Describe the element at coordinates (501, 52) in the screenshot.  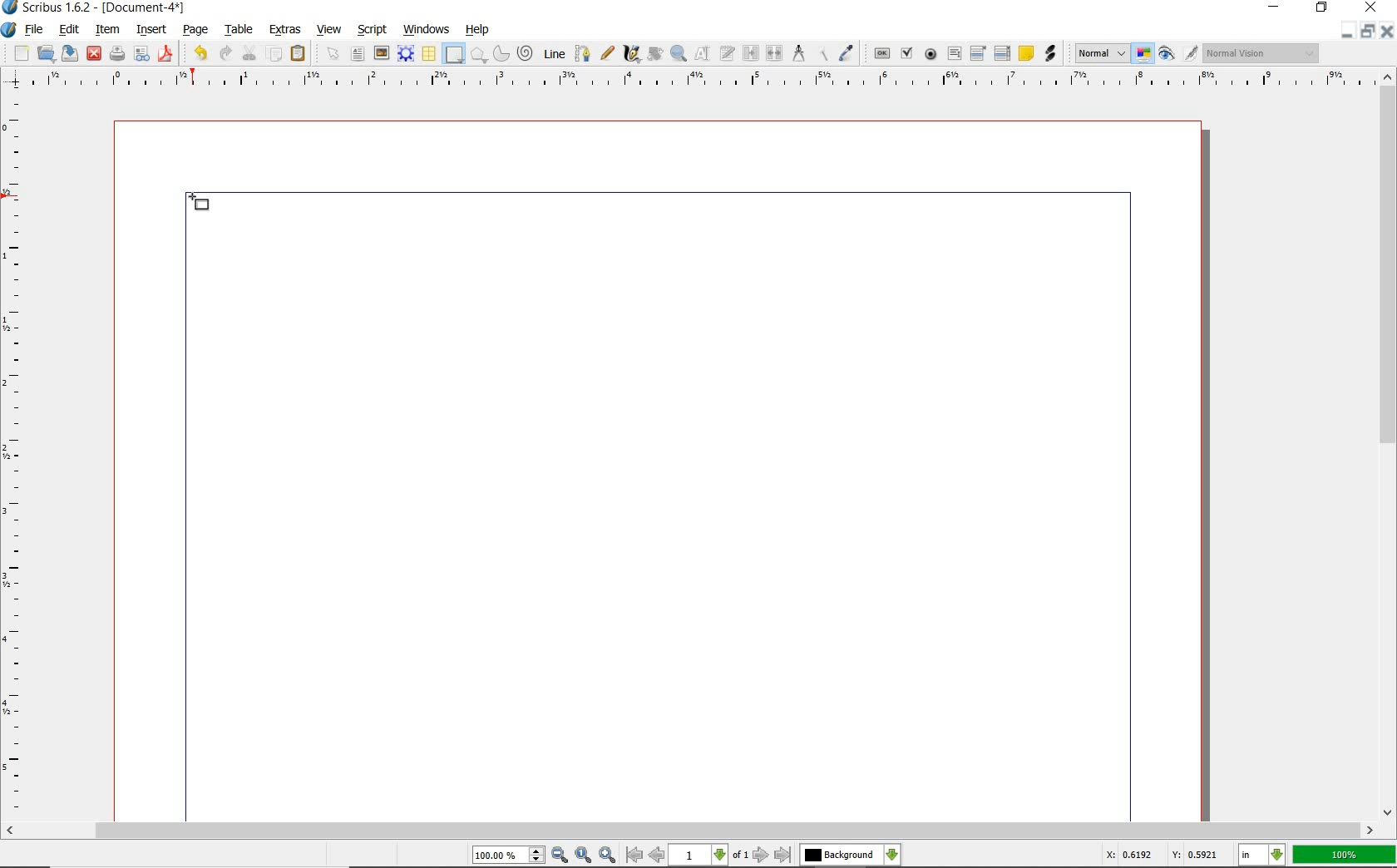
I see `arc` at that location.